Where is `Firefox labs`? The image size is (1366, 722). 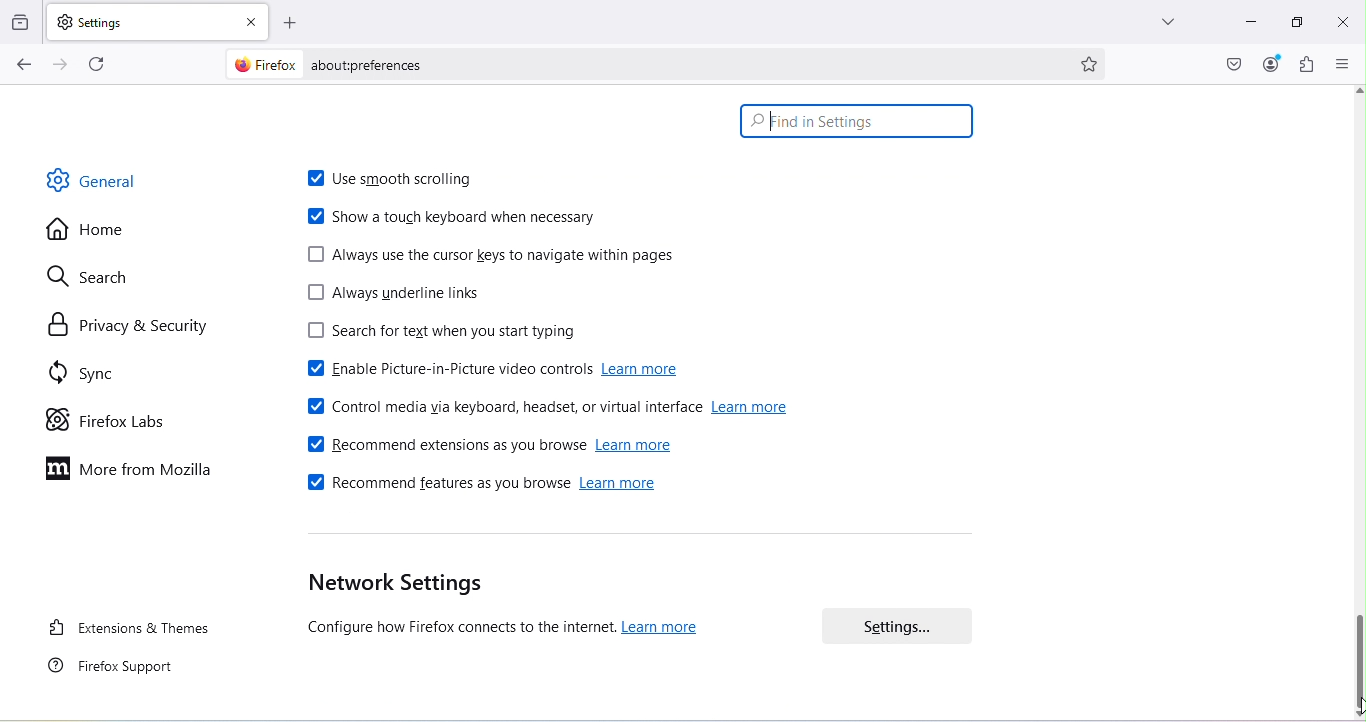 Firefox labs is located at coordinates (94, 418).